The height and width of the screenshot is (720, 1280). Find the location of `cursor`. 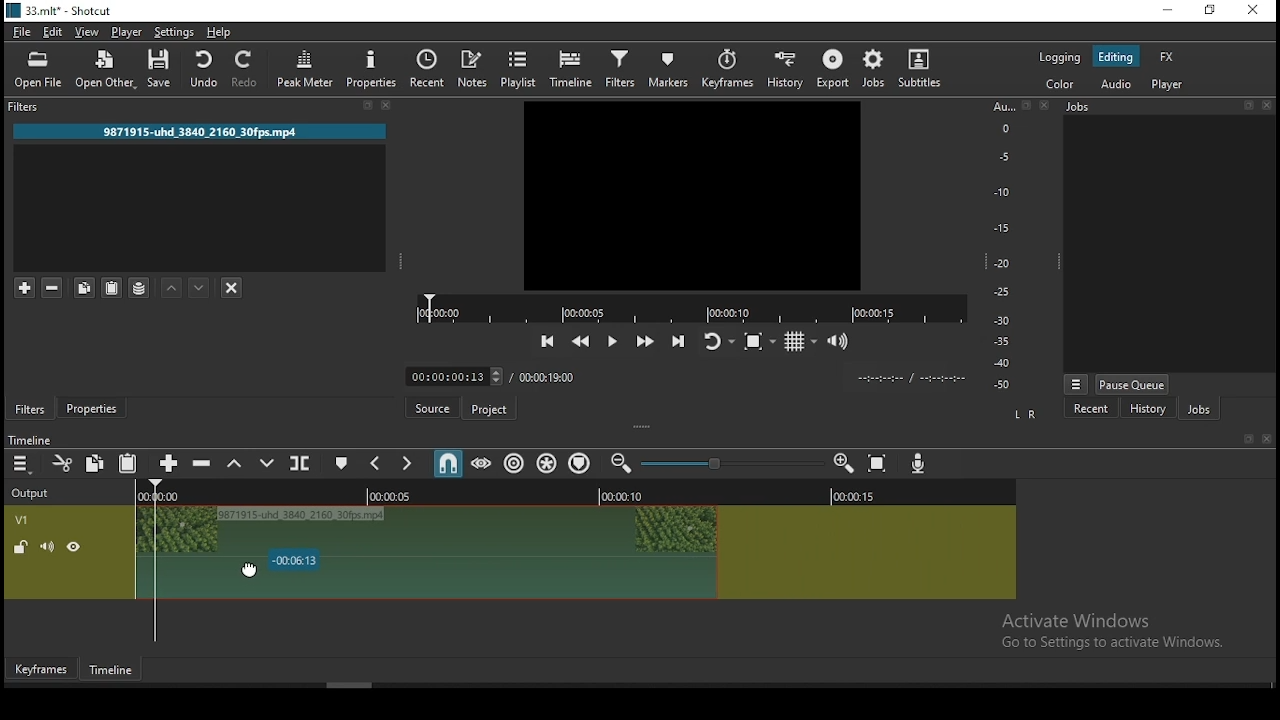

cursor is located at coordinates (250, 571).